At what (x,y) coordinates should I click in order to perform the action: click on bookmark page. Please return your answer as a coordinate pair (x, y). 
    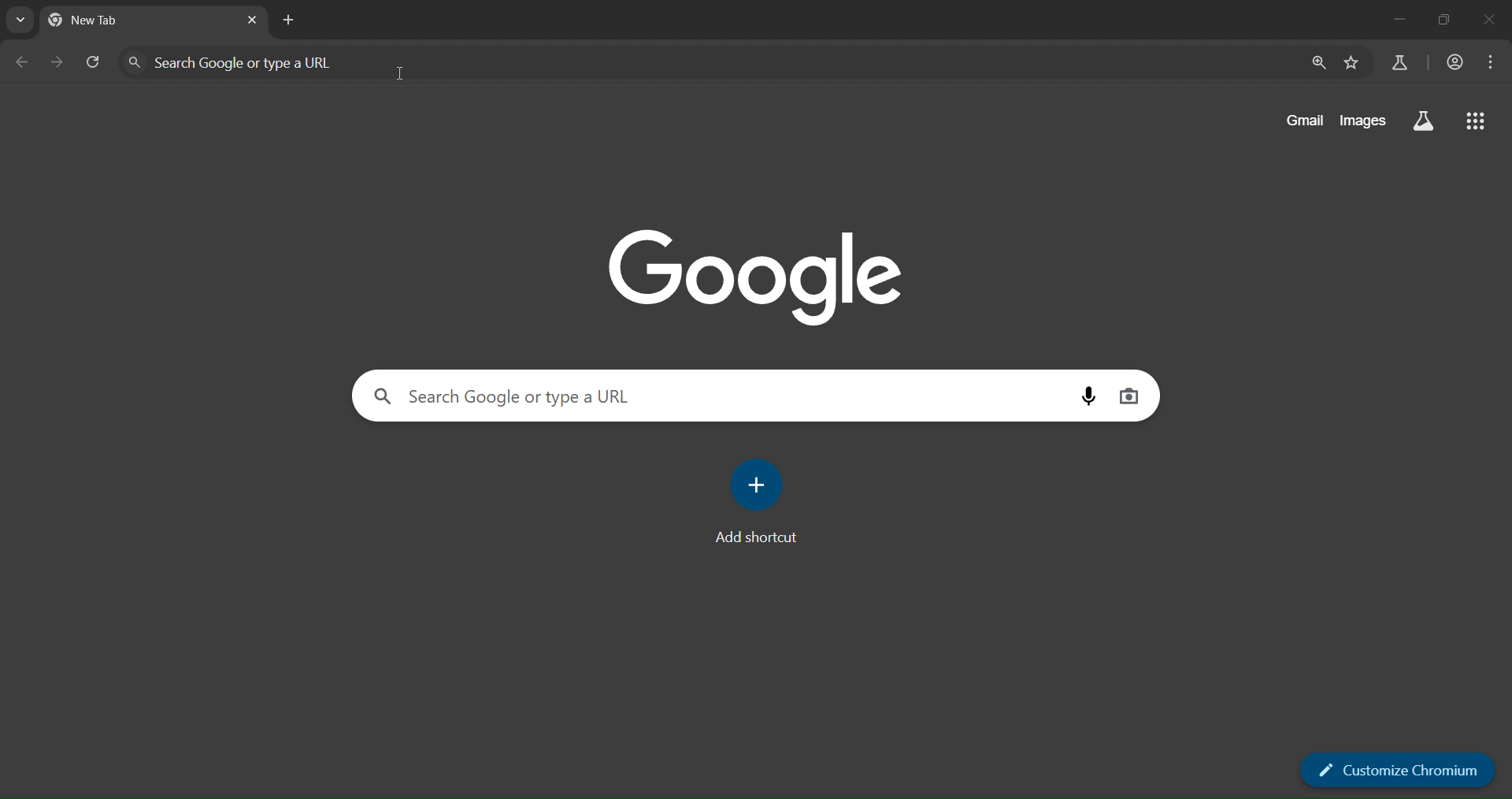
    Looking at the image, I should click on (1354, 65).